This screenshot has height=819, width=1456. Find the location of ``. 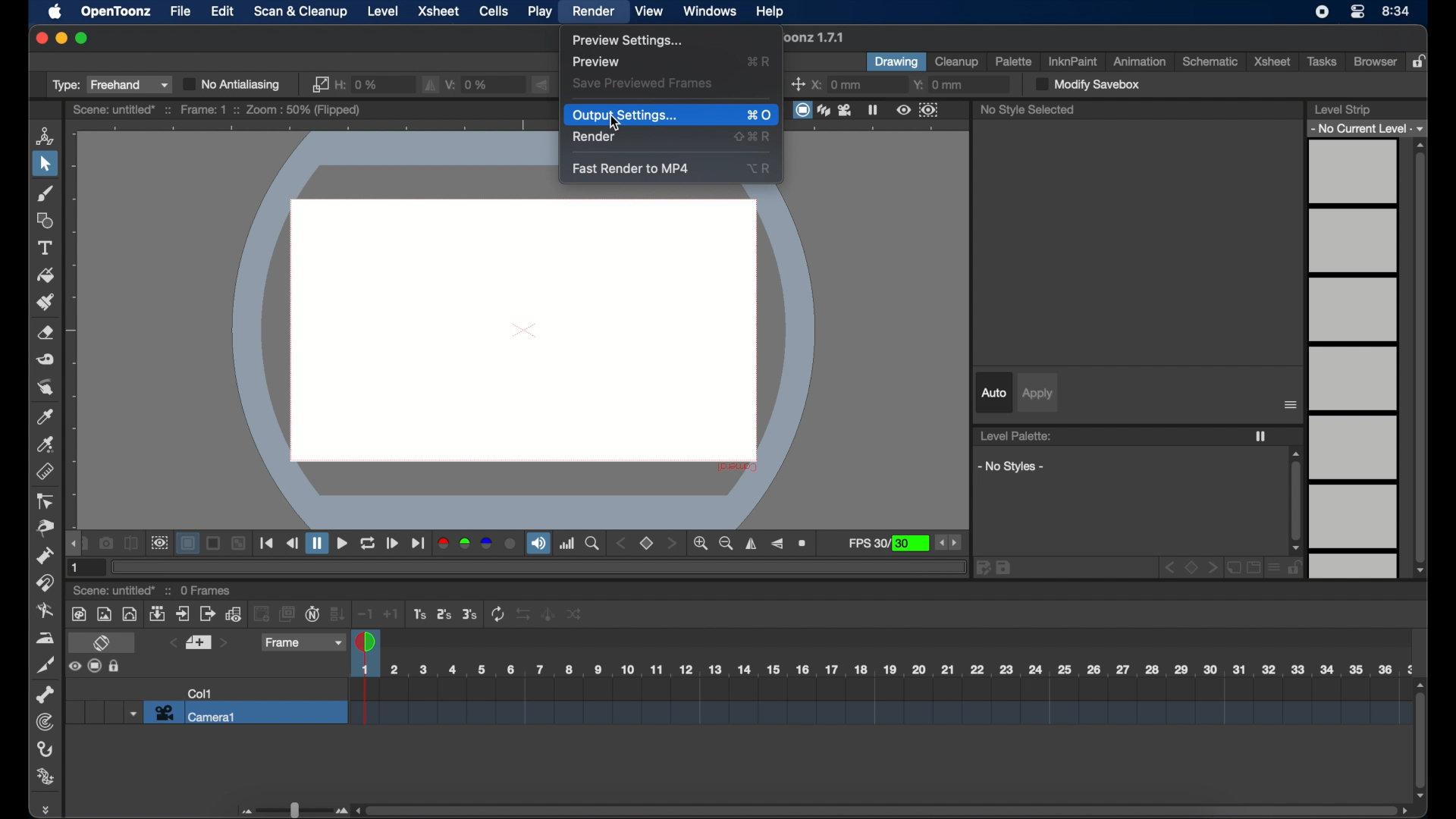

 is located at coordinates (526, 614).